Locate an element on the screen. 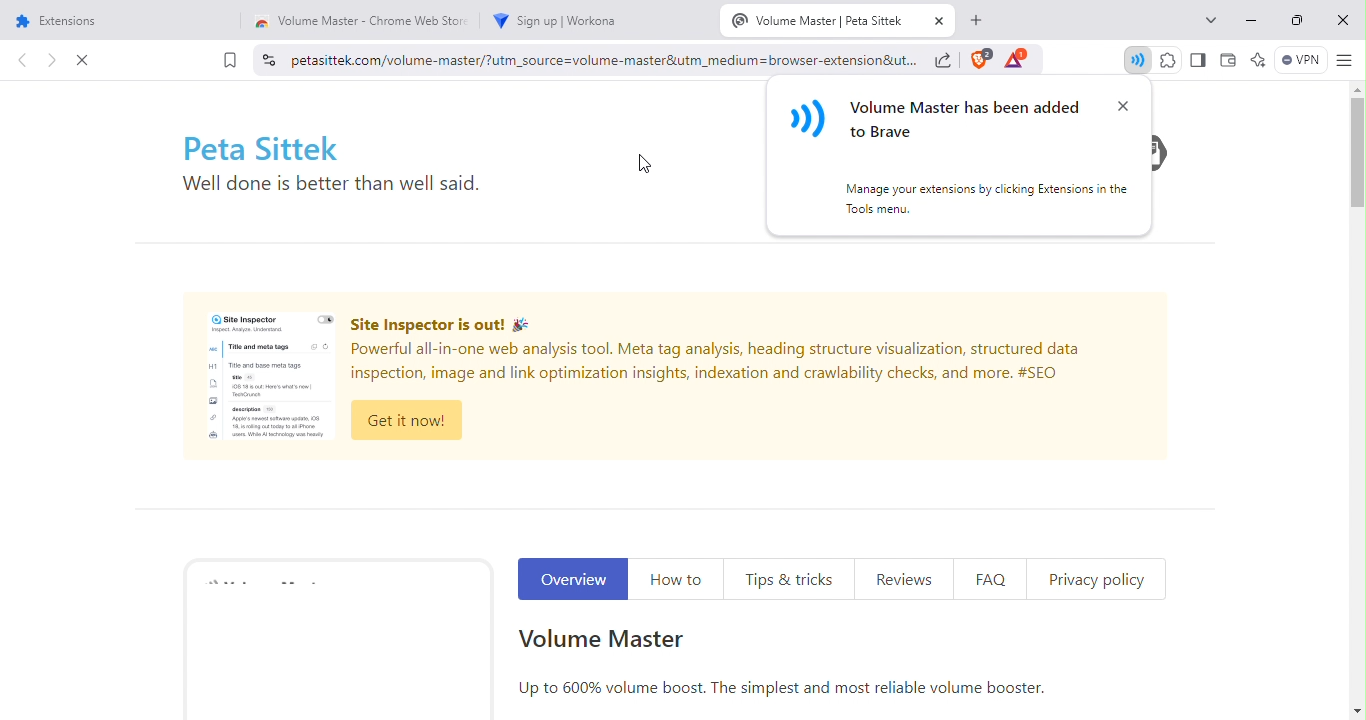 This screenshot has width=1366, height=720. scroll bar is located at coordinates (1354, 401).